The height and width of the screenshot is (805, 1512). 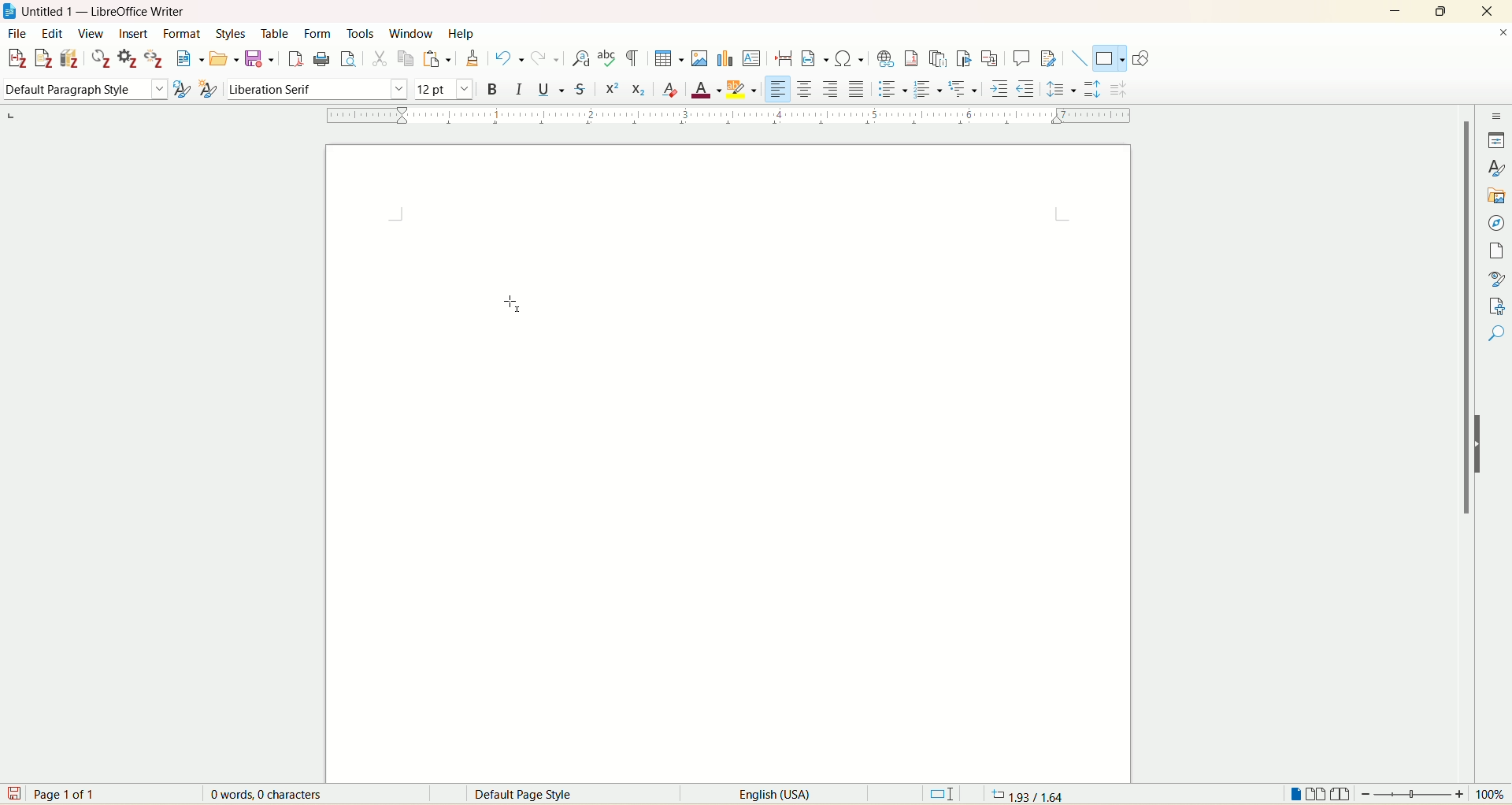 I want to click on export as pdf, so click(x=294, y=60).